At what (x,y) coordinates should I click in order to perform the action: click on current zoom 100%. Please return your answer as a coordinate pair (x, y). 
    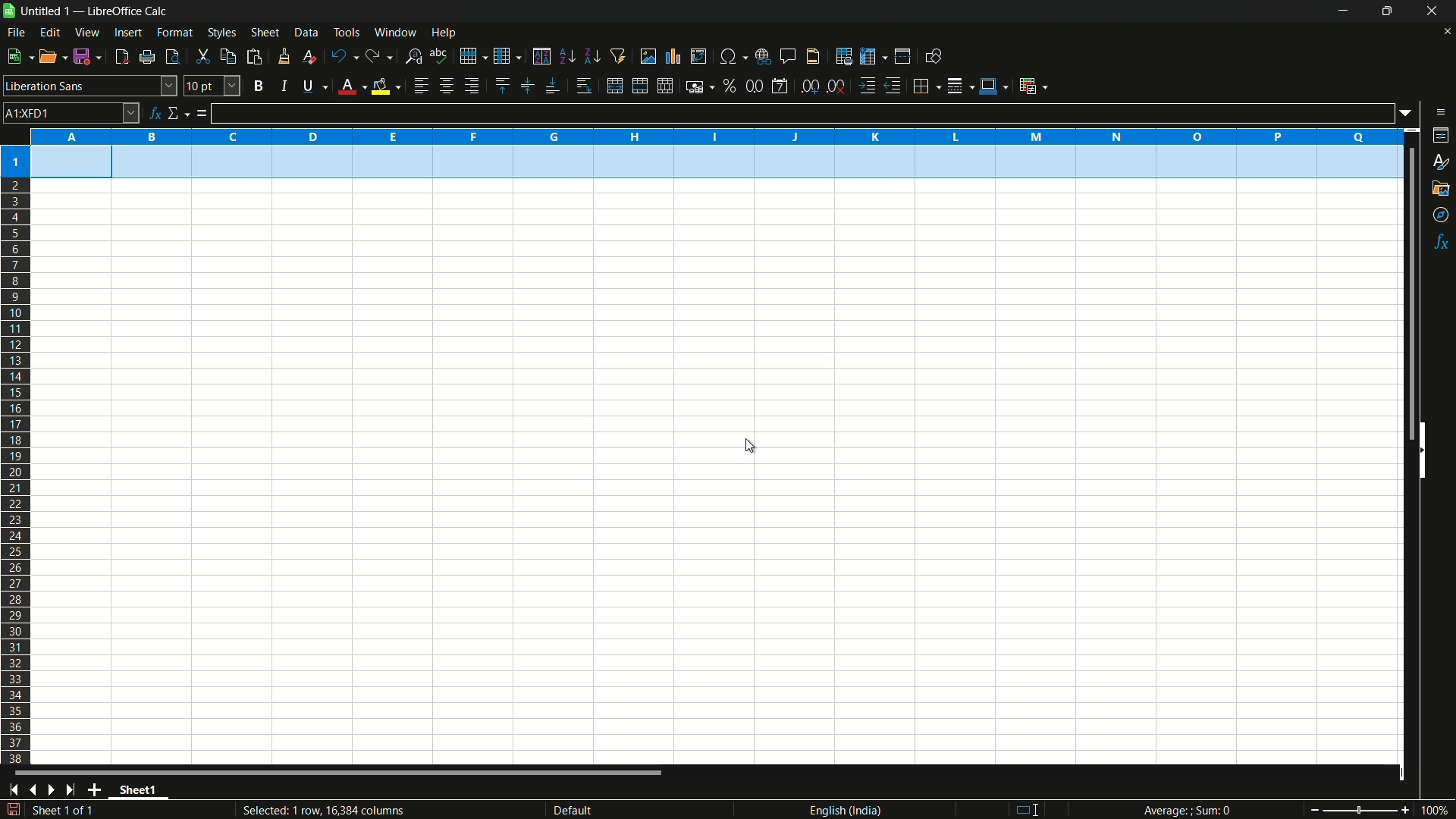
    Looking at the image, I should click on (1437, 810).